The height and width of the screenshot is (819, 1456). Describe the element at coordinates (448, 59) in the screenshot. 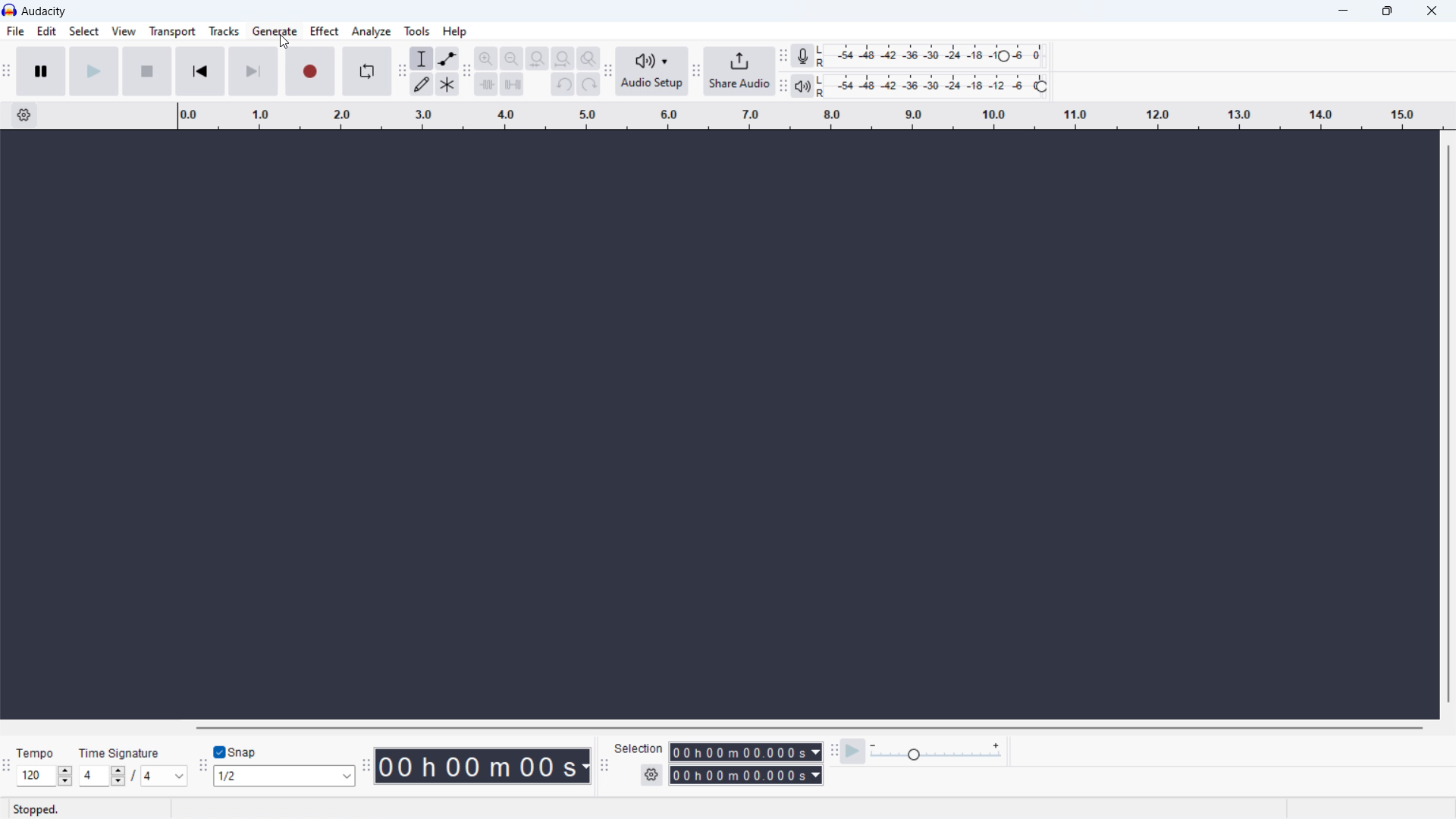

I see `envelop tool` at that location.